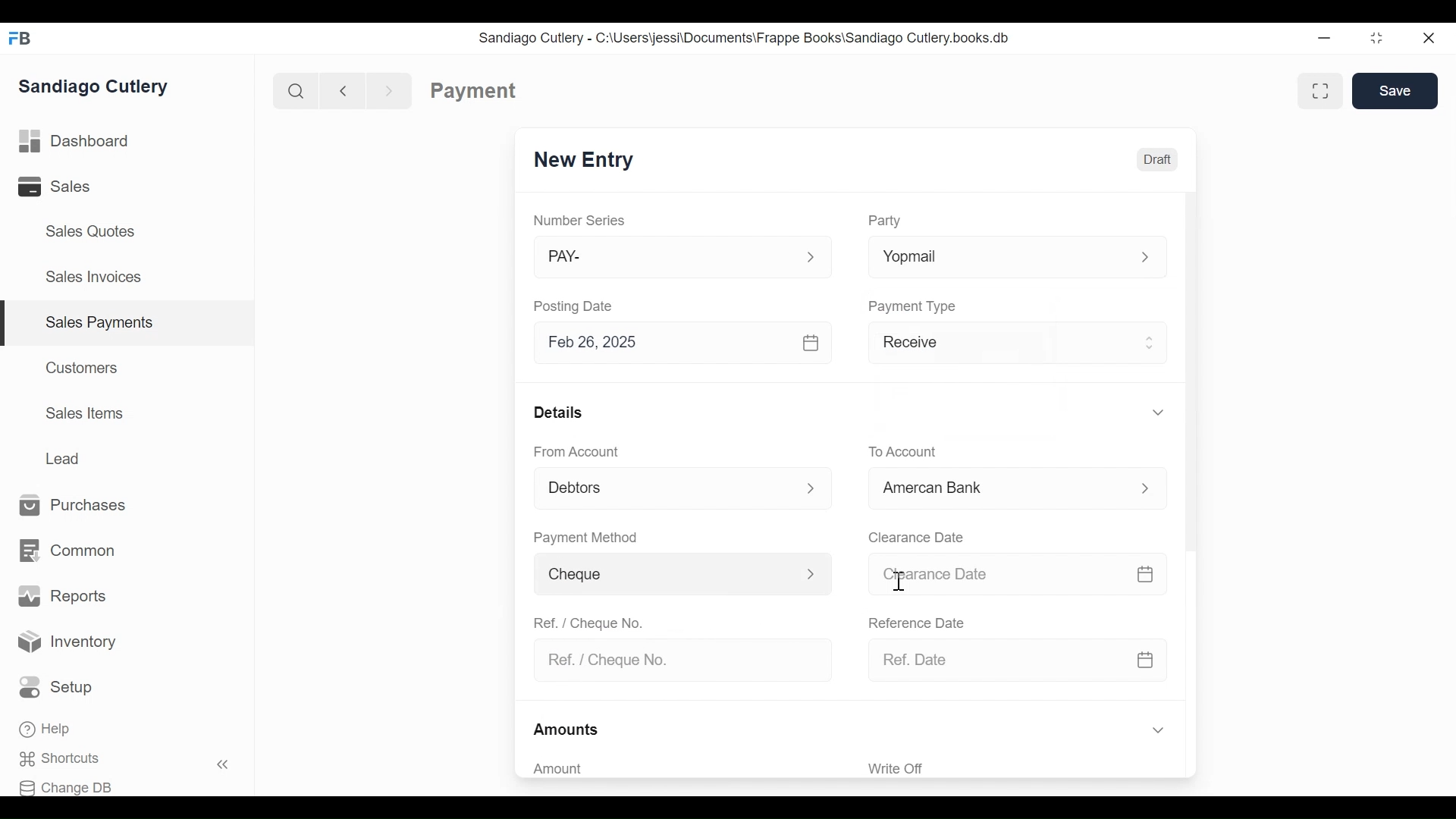 Image resolution: width=1456 pixels, height=819 pixels. Describe the element at coordinates (74, 506) in the screenshot. I see `Purchases` at that location.